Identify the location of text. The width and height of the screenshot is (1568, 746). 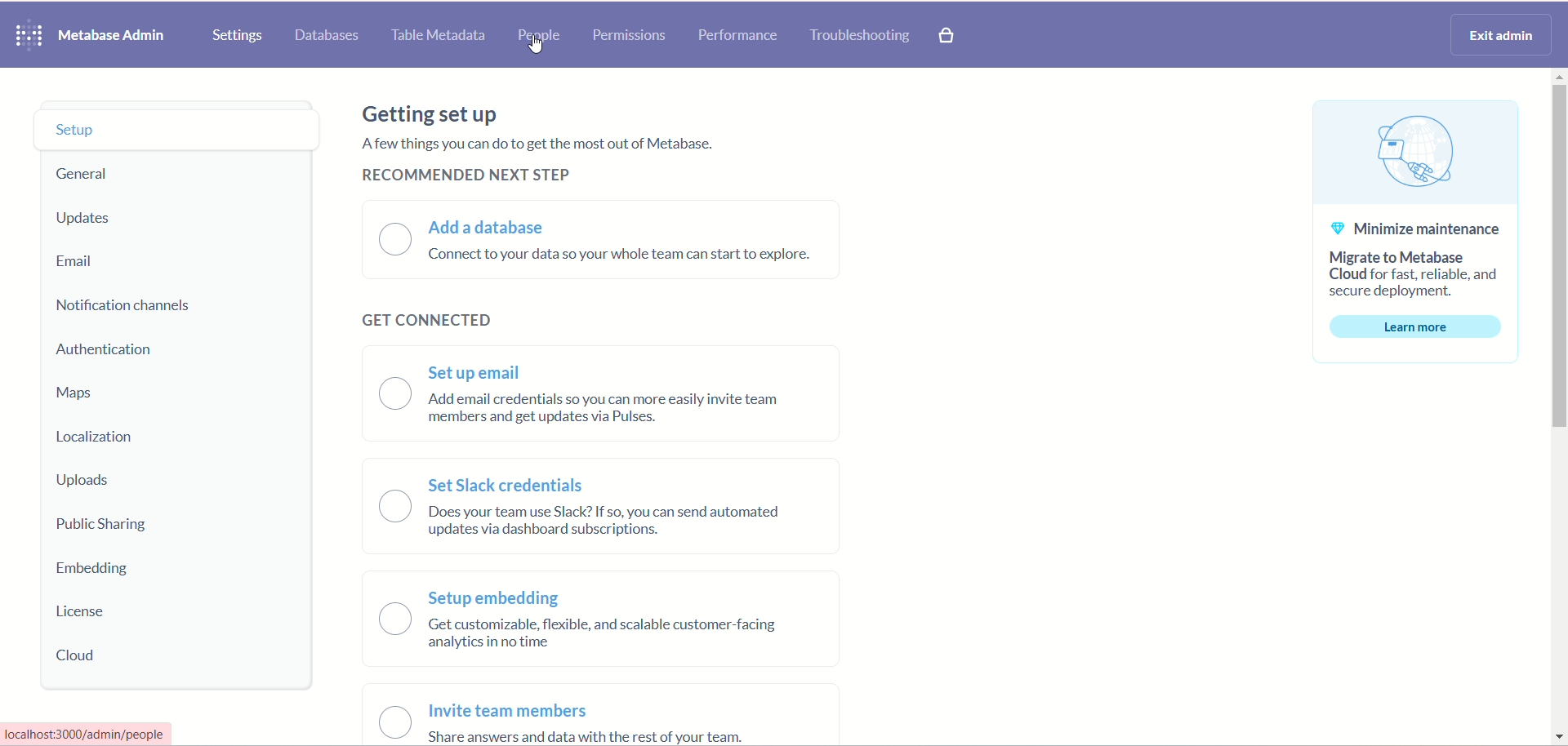
(614, 522).